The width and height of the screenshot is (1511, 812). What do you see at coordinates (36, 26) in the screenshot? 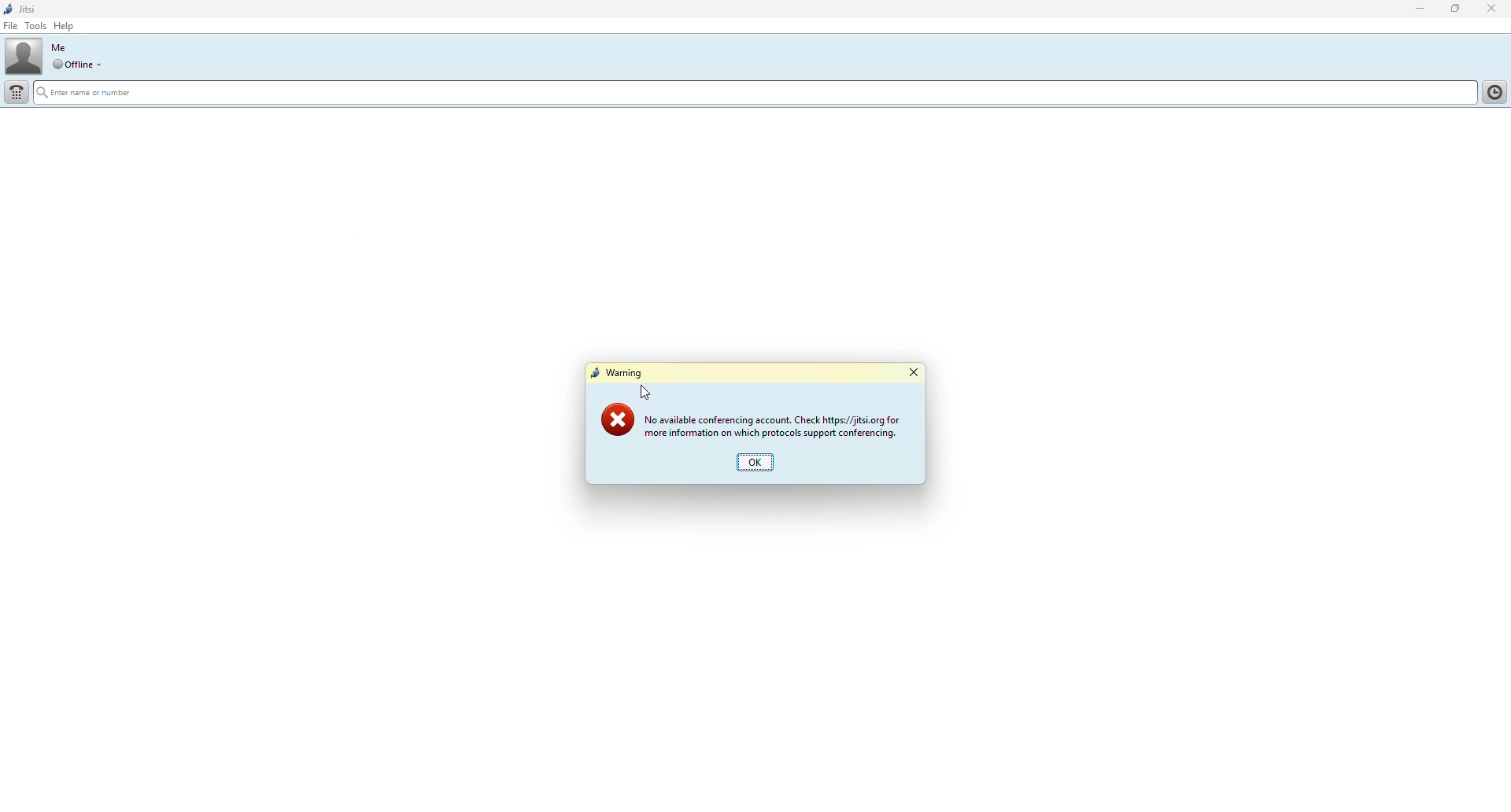
I see `tools` at bounding box center [36, 26].